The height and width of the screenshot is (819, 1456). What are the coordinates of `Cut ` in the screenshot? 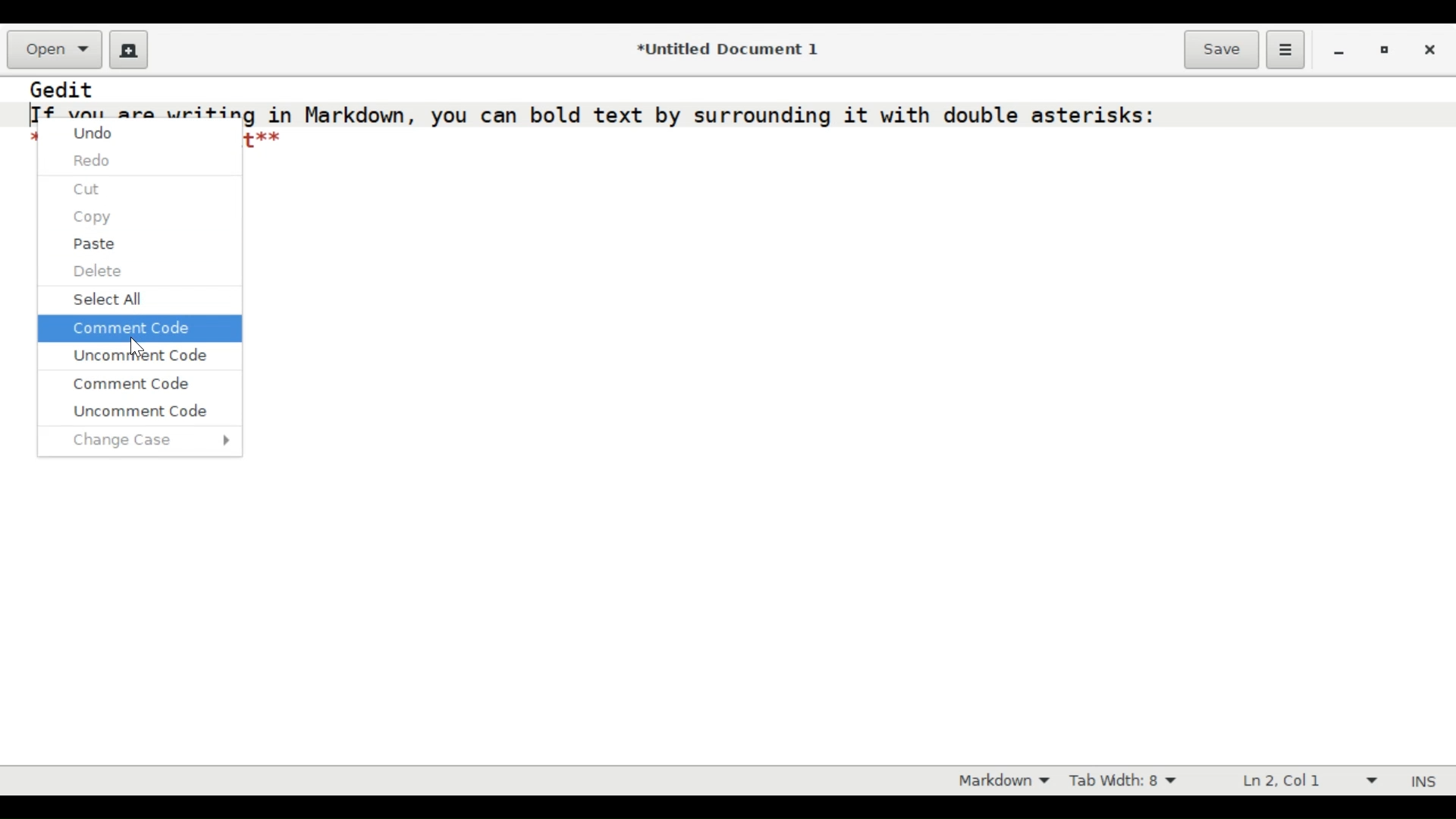 It's located at (88, 188).